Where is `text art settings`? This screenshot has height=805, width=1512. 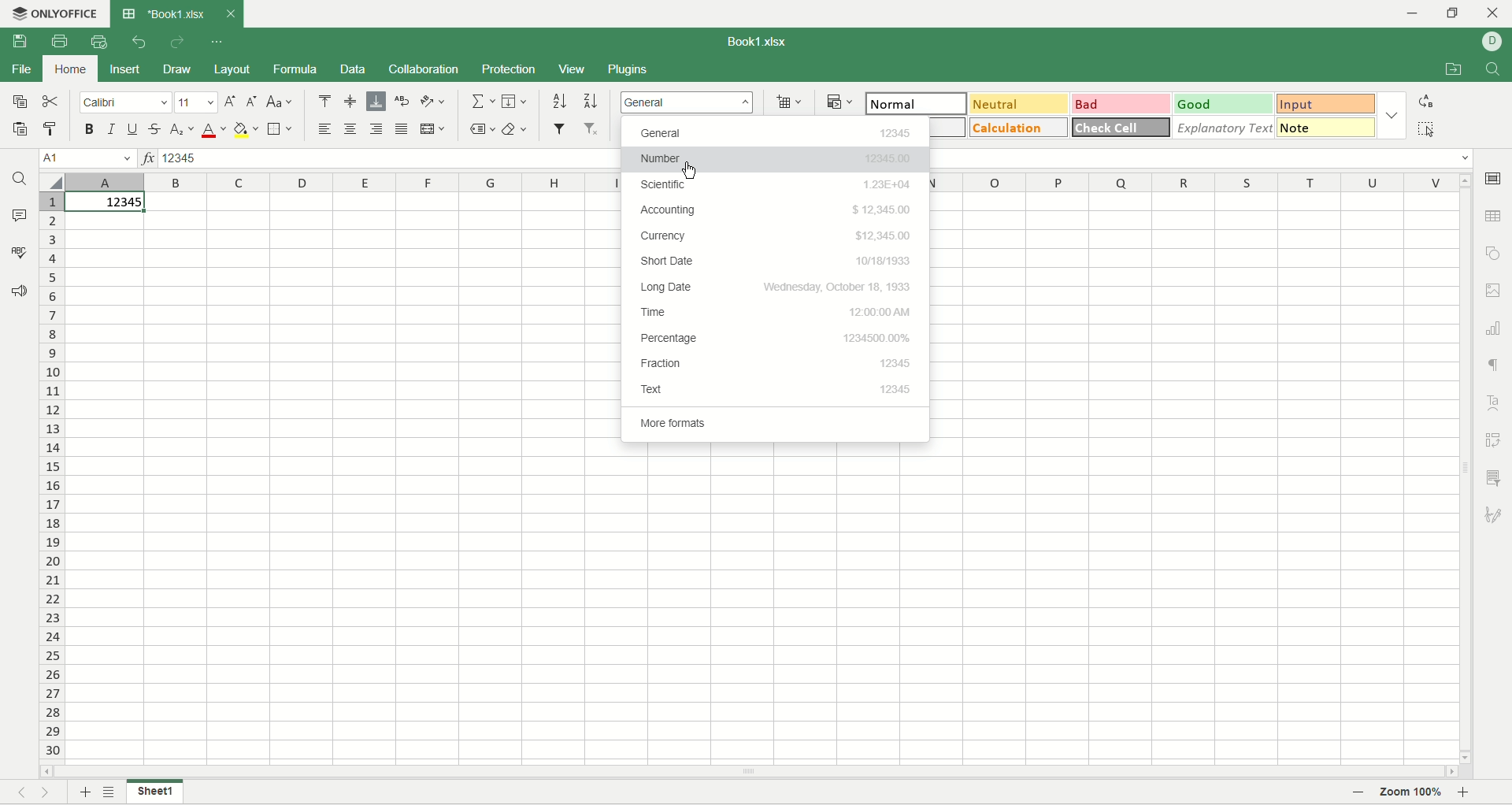
text art settings is located at coordinates (1496, 403).